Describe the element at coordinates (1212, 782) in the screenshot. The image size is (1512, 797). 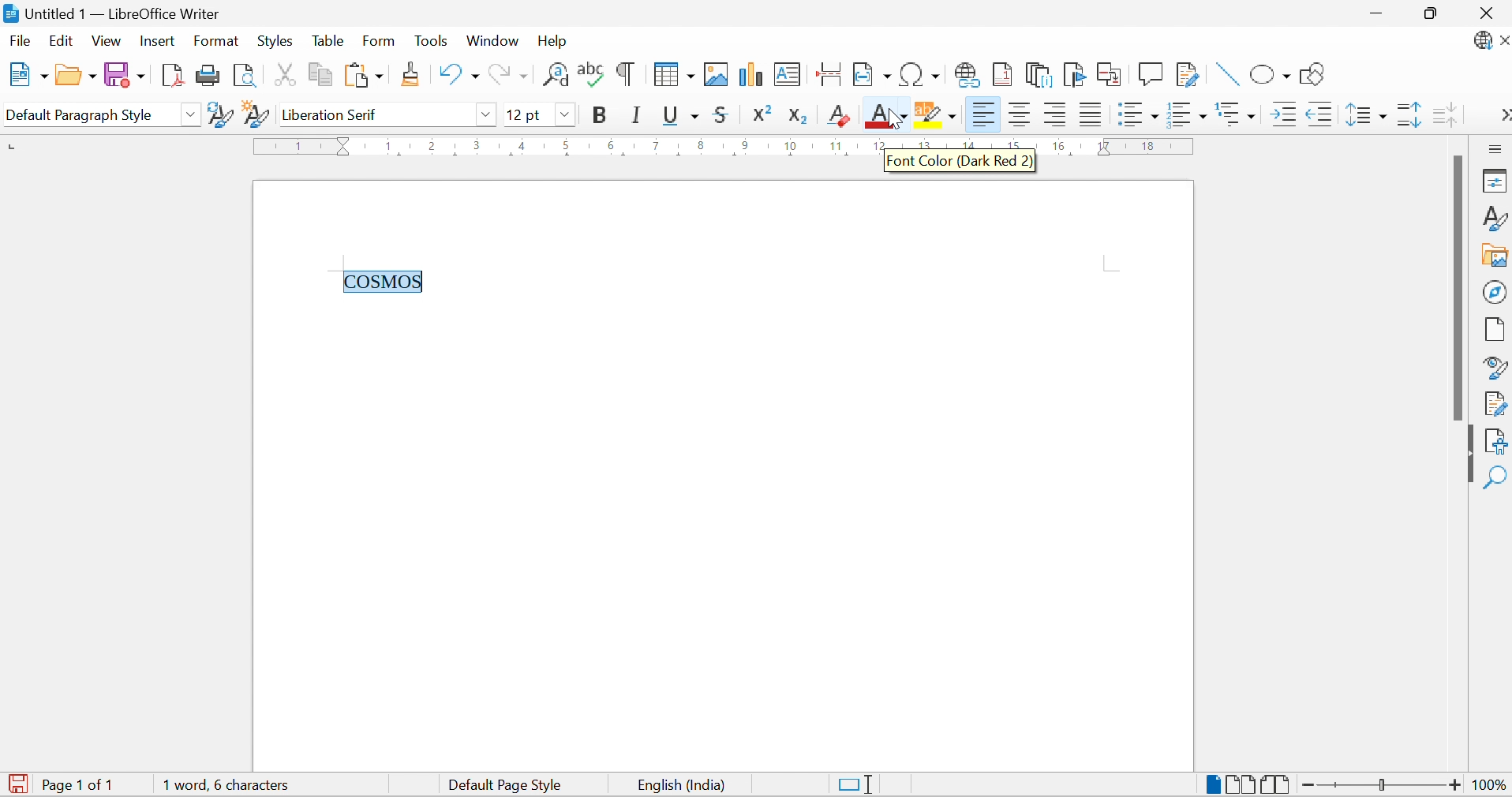
I see `Single-page View` at that location.